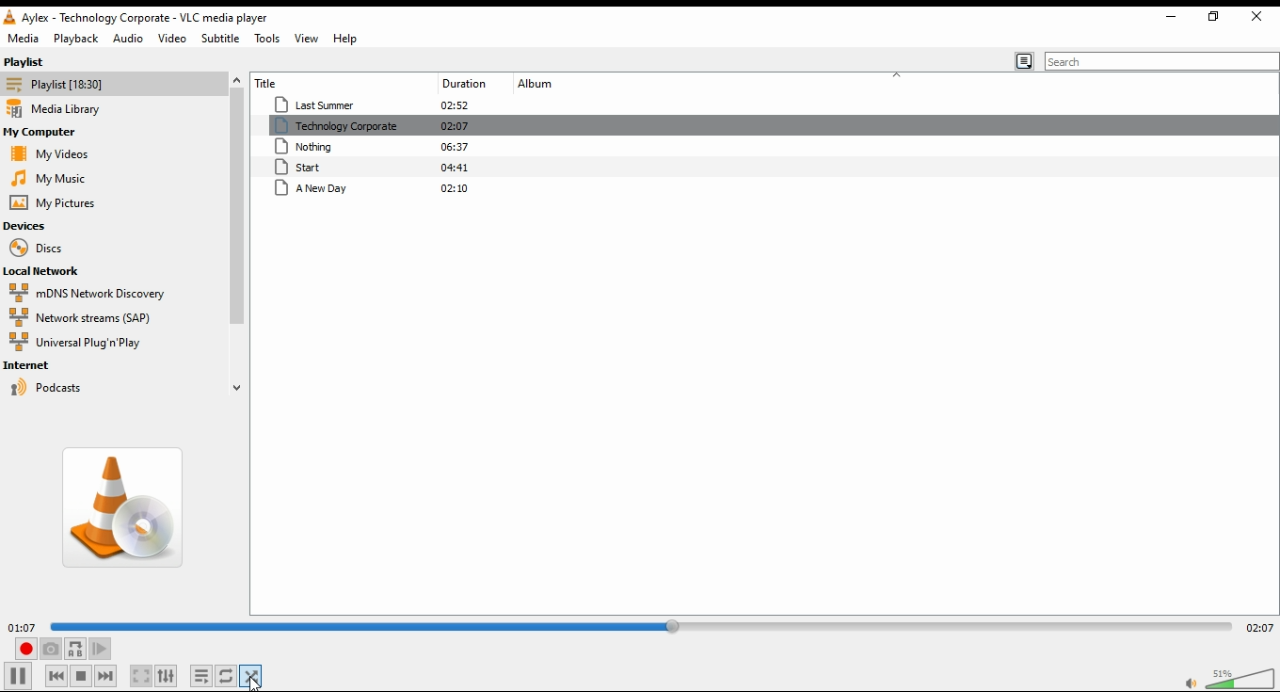 The image size is (1280, 692). Describe the element at coordinates (1019, 61) in the screenshot. I see `toggle playlistview` at that location.